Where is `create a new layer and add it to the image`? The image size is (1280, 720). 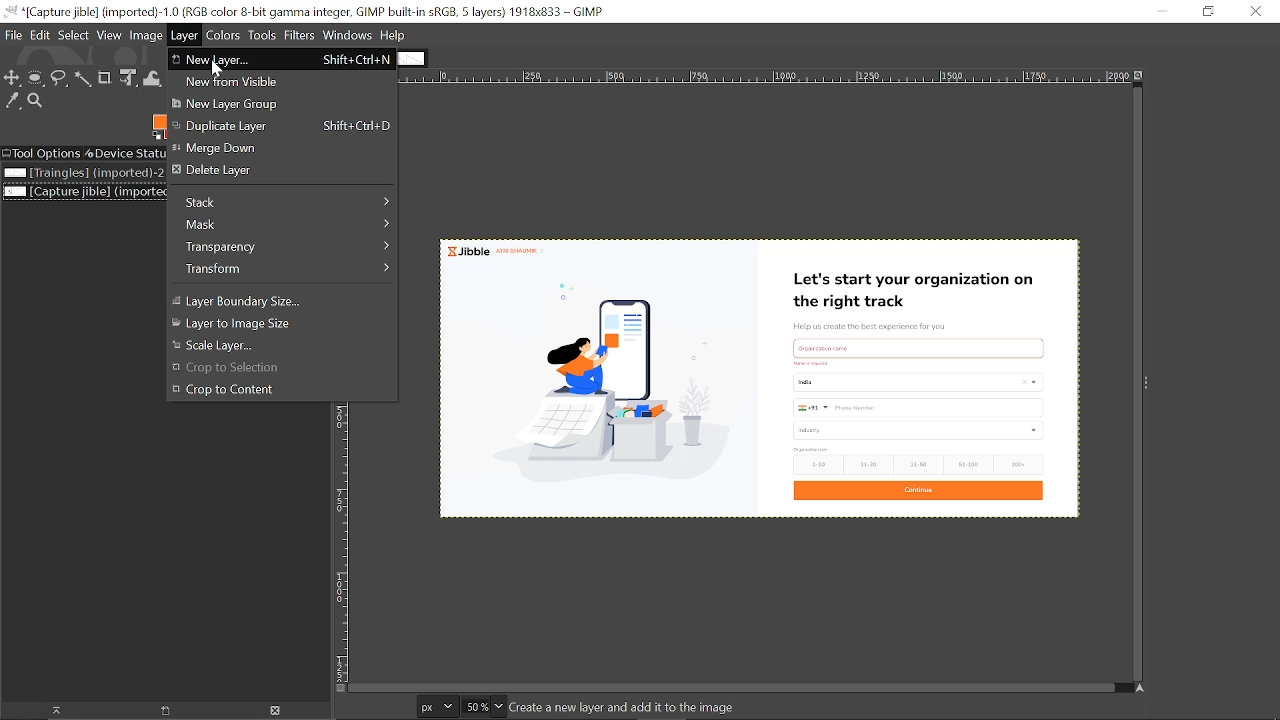
create a new layer and add it to the image is located at coordinates (631, 704).